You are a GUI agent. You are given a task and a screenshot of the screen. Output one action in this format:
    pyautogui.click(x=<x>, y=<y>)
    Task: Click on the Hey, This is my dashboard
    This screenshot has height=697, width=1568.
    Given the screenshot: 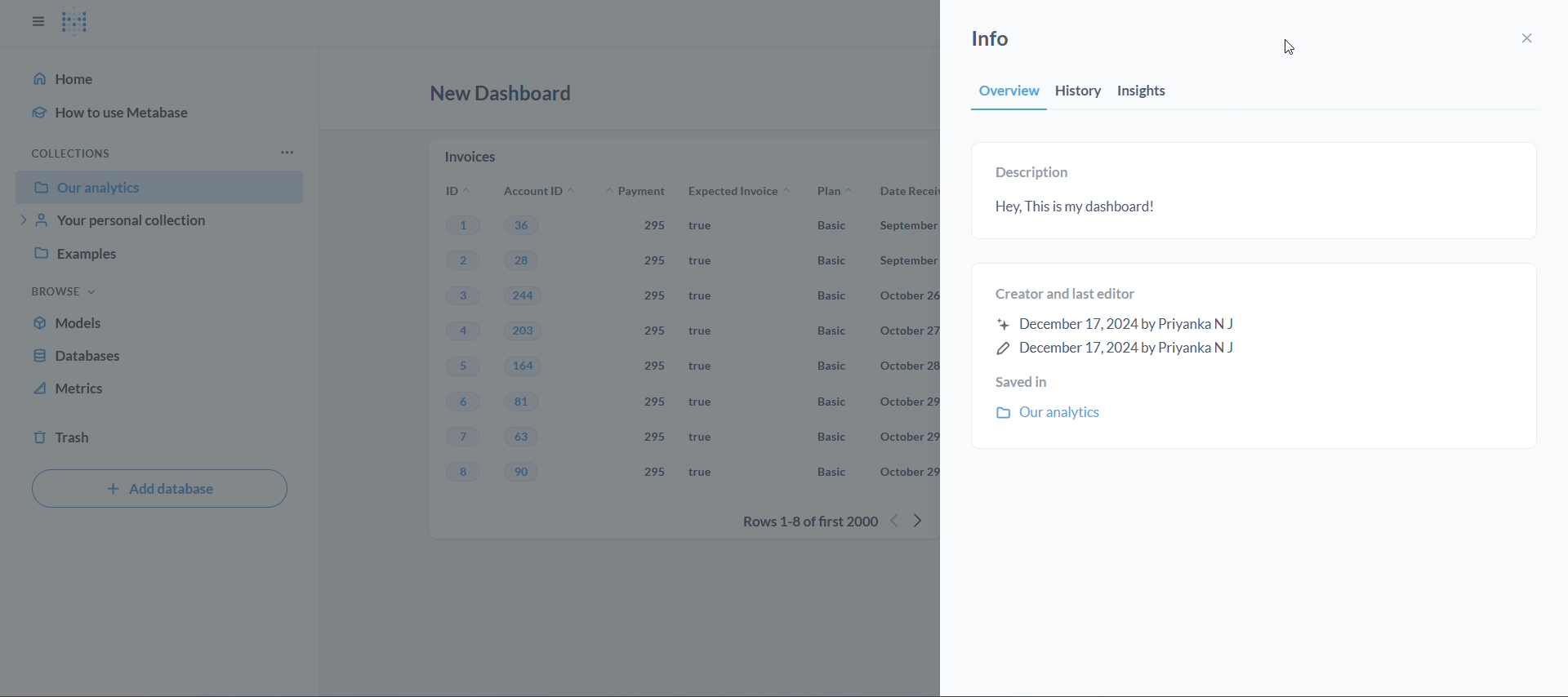 What is the action you would take?
    pyautogui.click(x=1246, y=208)
    